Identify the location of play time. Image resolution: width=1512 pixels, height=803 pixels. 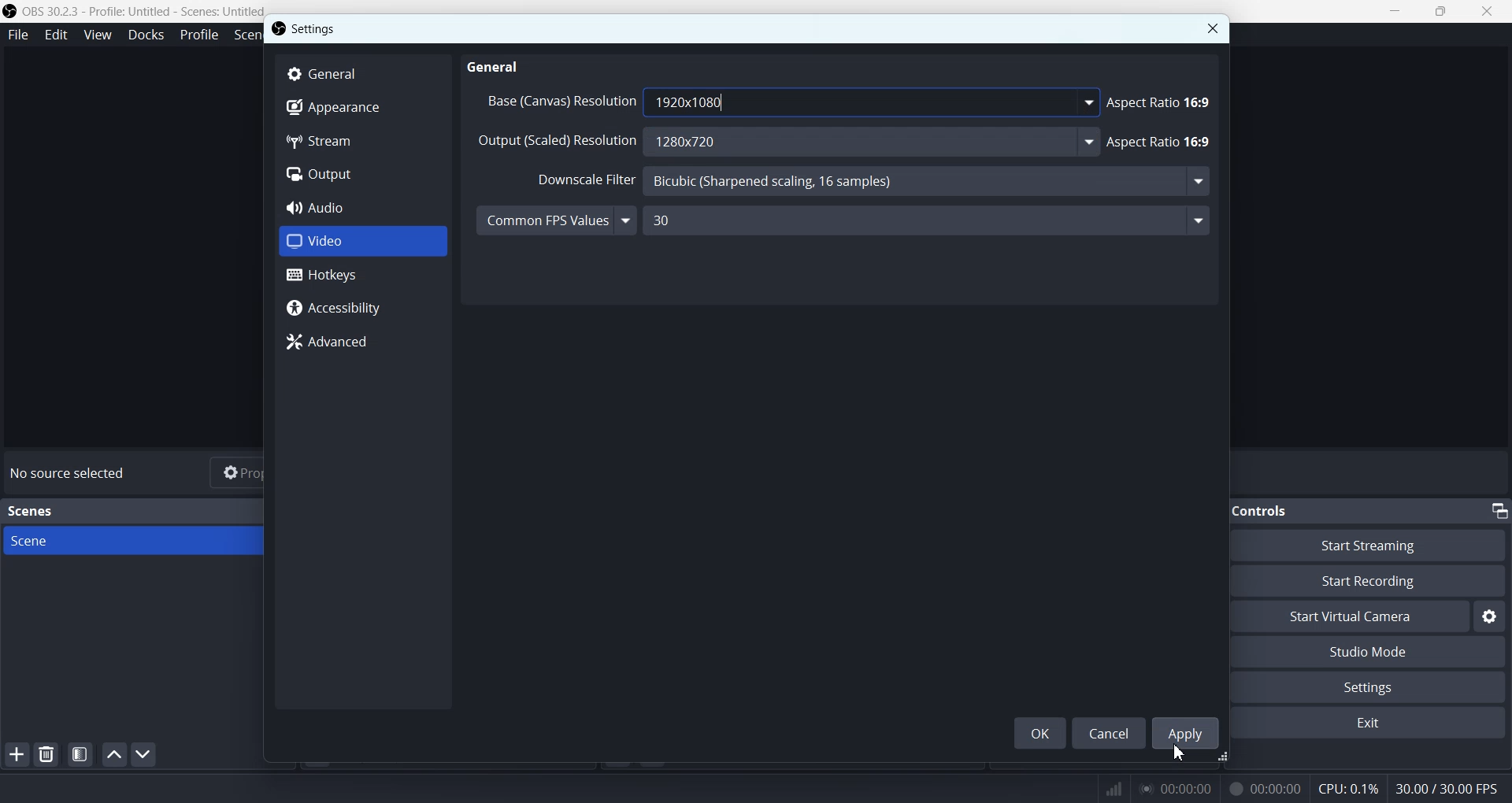
(1177, 788).